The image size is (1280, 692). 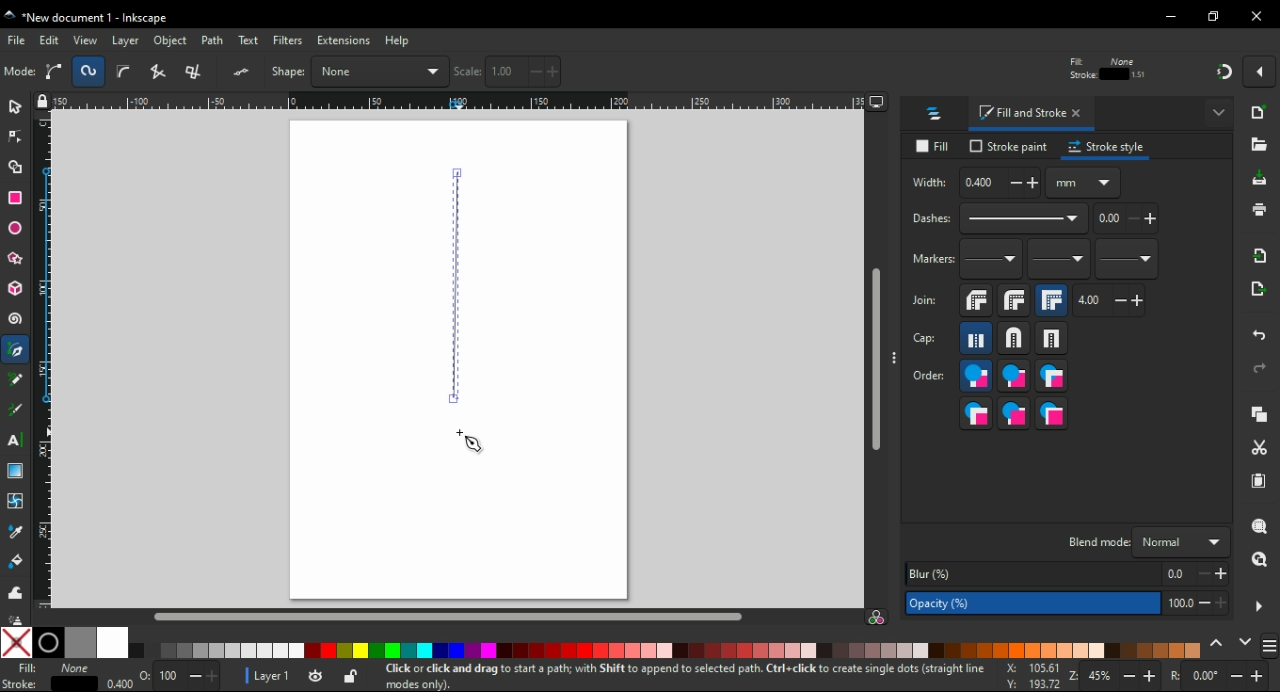 What do you see at coordinates (1125, 259) in the screenshot?
I see `last markers` at bounding box center [1125, 259].